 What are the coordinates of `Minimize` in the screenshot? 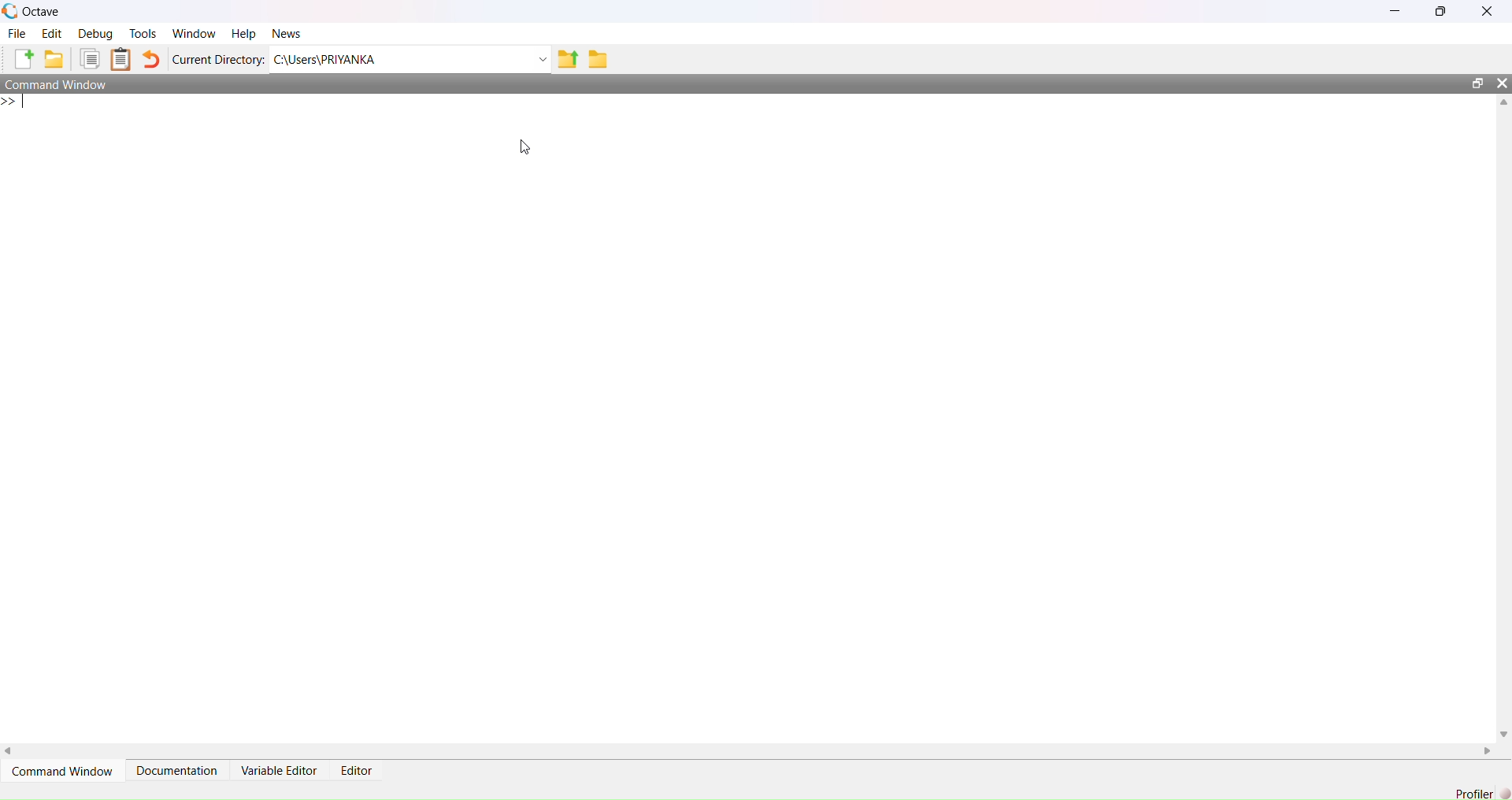 It's located at (1392, 11).